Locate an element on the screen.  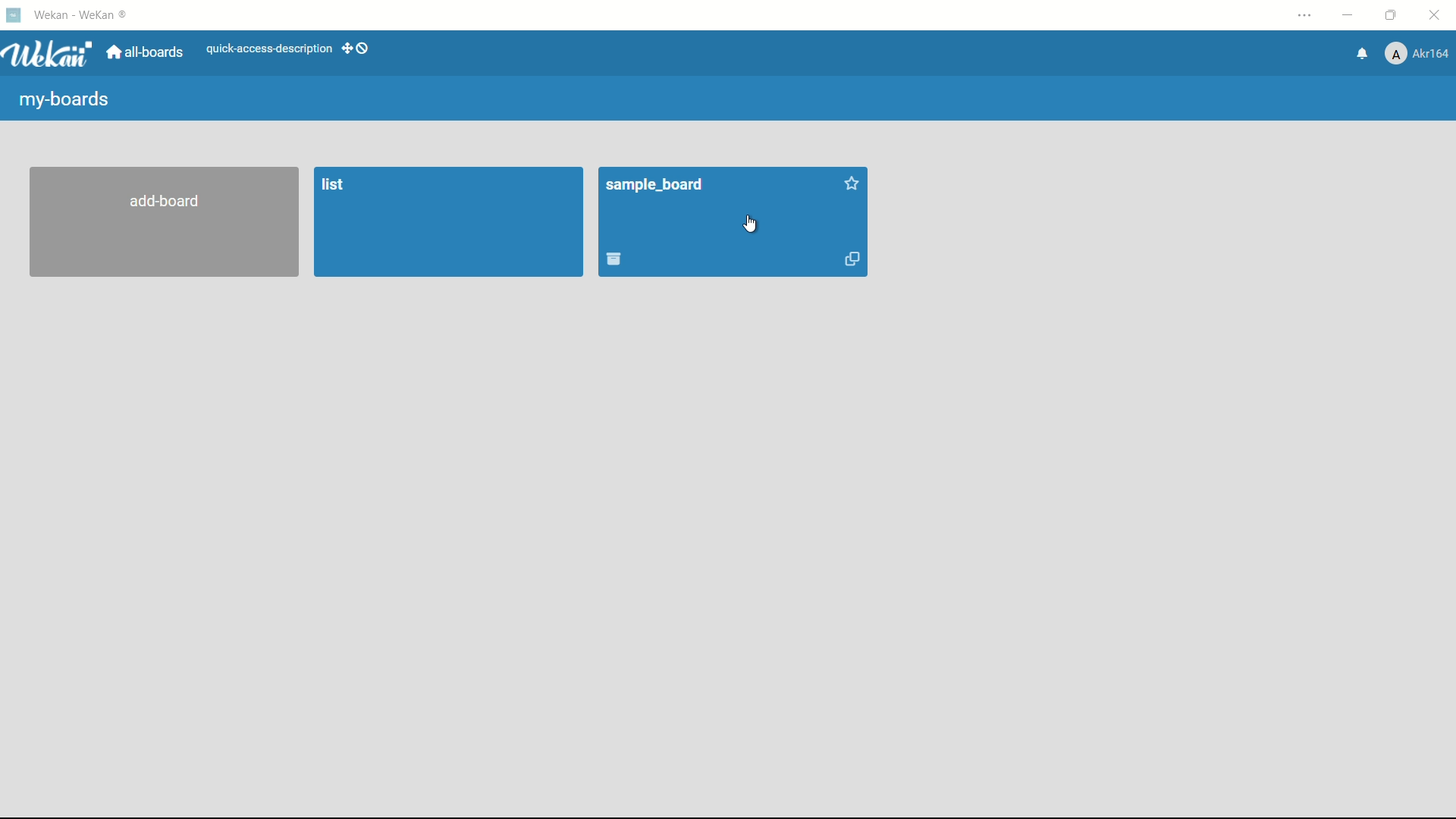
quick-access-description is located at coordinates (269, 50).